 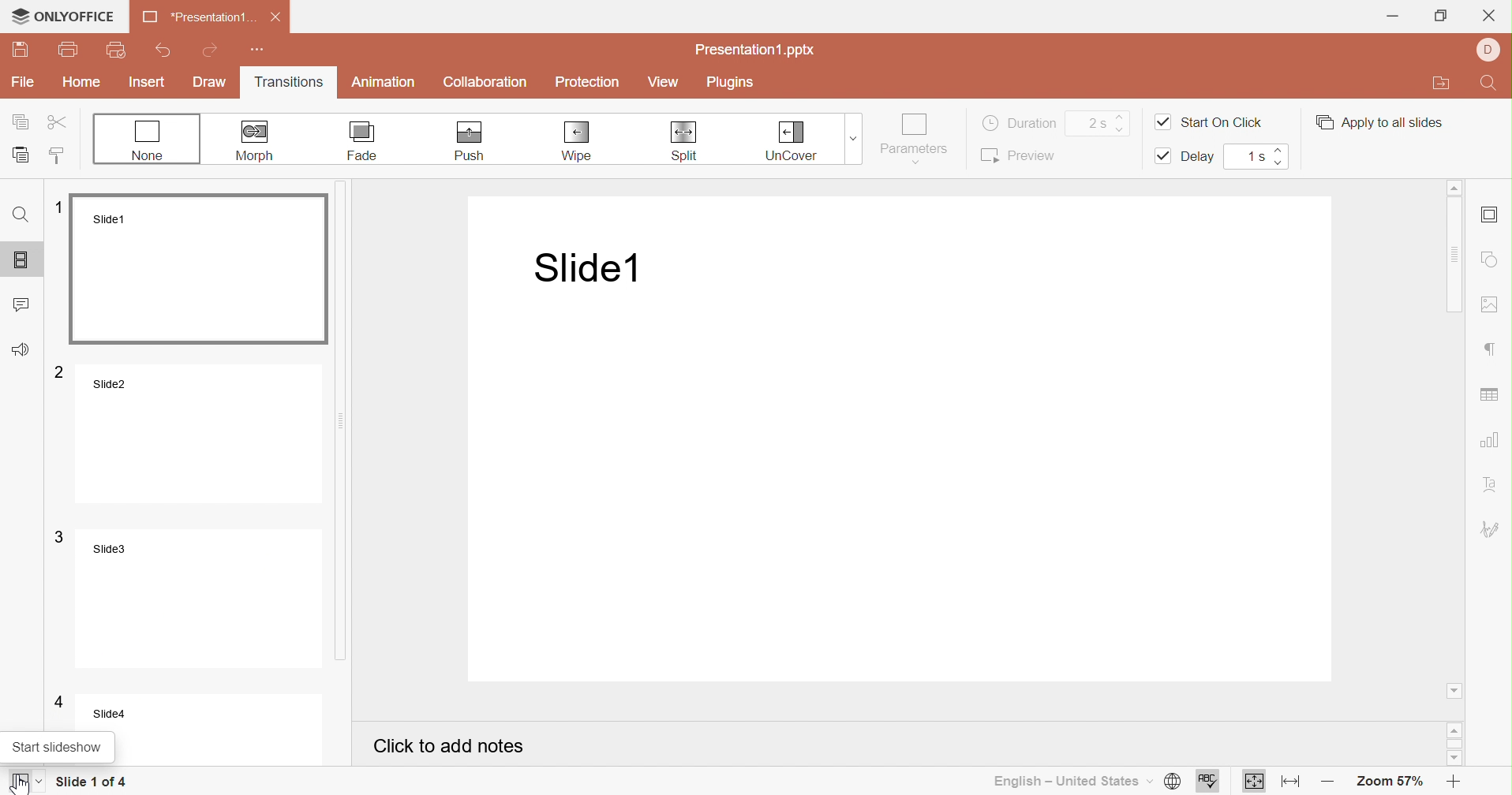 What do you see at coordinates (1017, 155) in the screenshot?
I see `Preview` at bounding box center [1017, 155].